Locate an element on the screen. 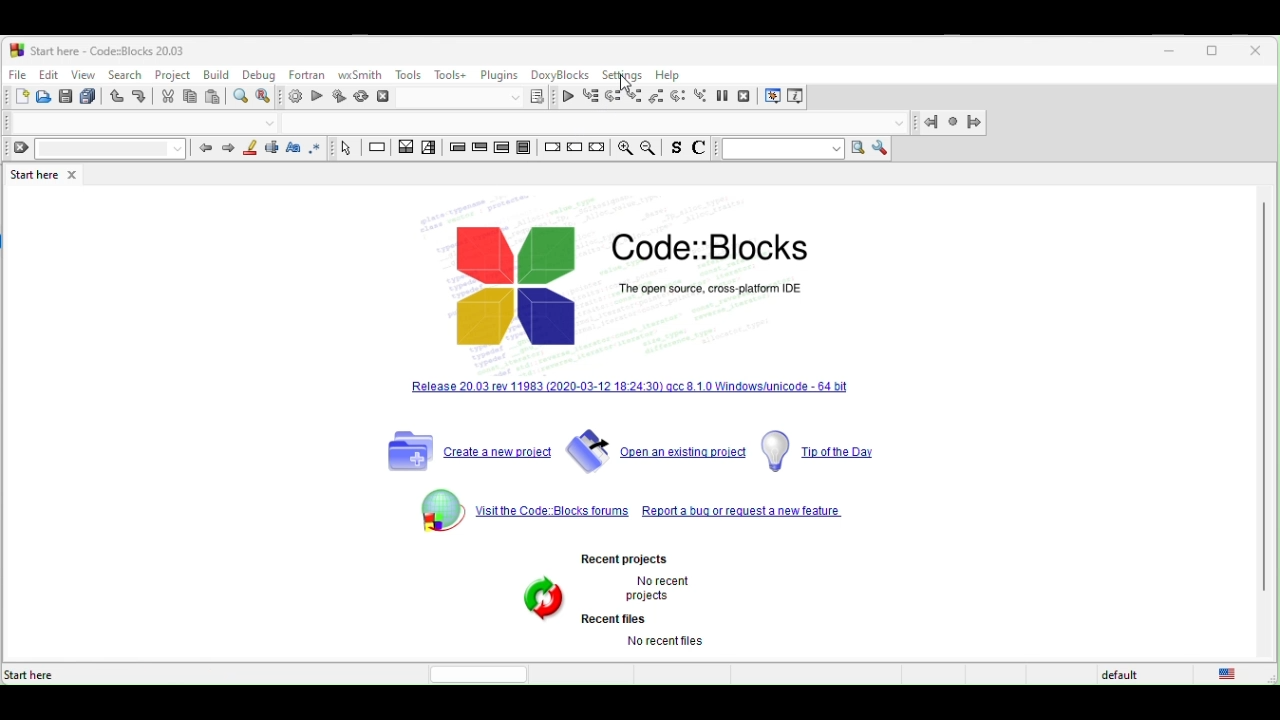  vertical scroll bar is located at coordinates (1262, 398).